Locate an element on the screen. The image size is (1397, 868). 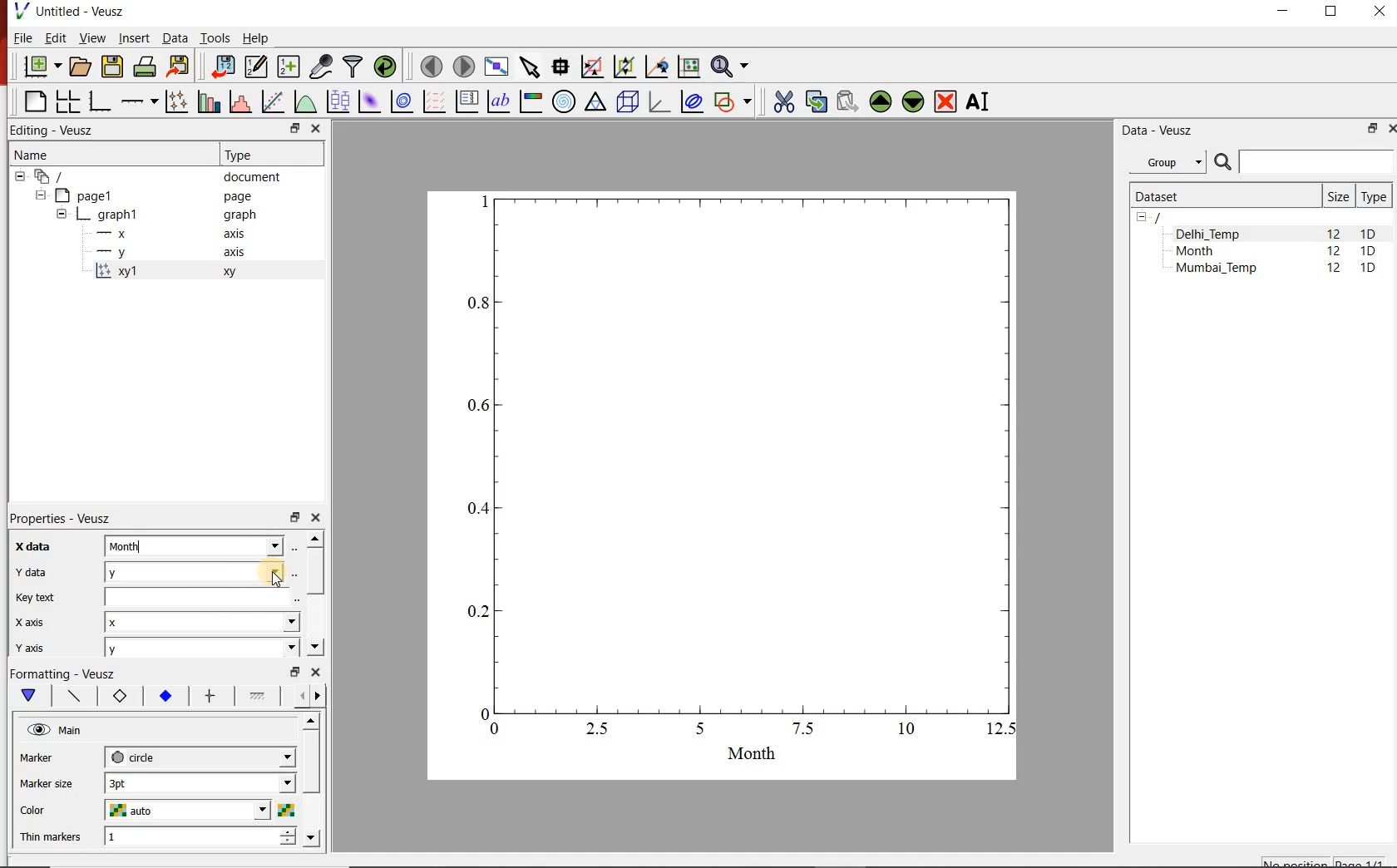
Group is located at coordinates (1167, 160).